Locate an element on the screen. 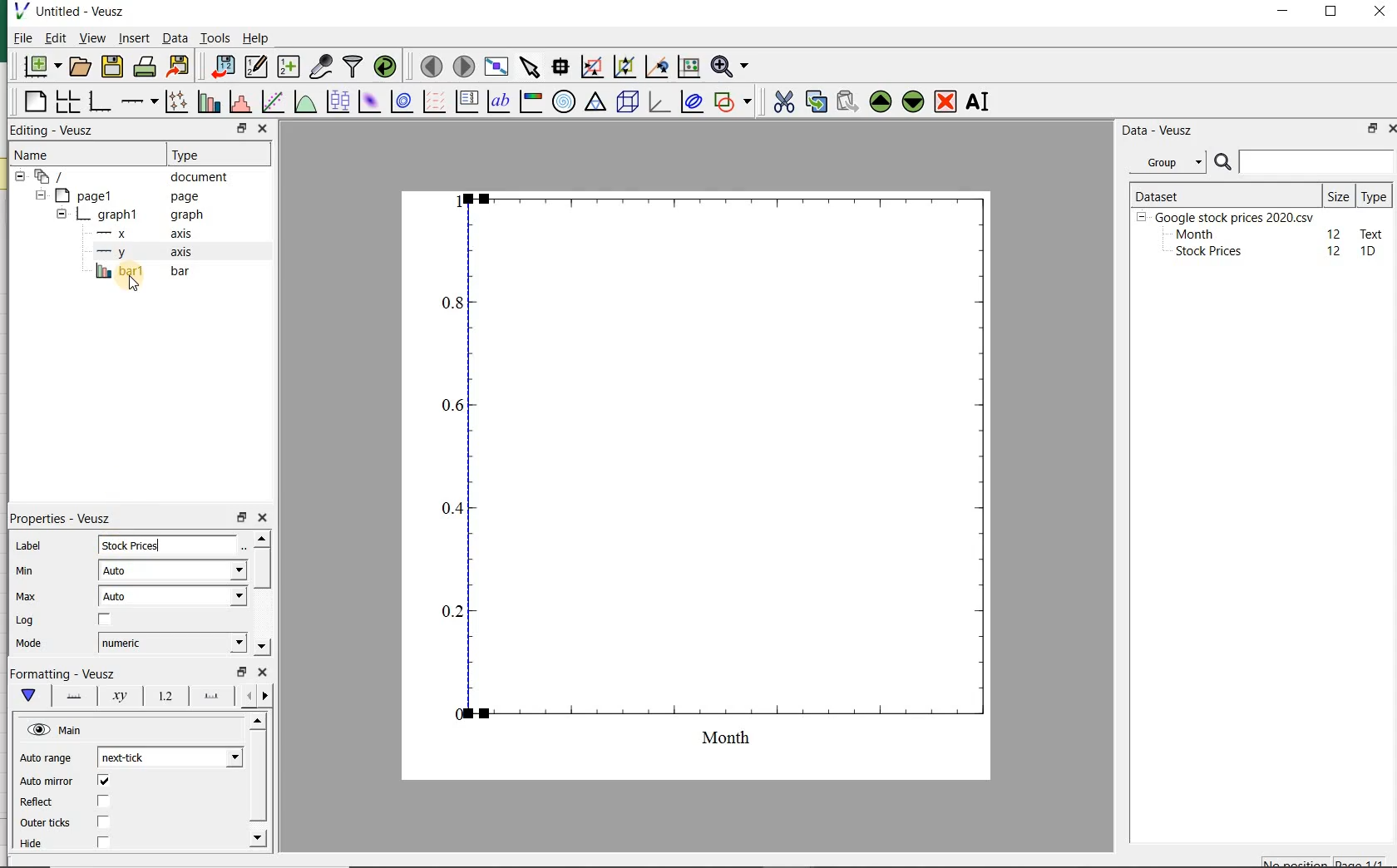 The width and height of the screenshot is (1397, 868). Tools is located at coordinates (215, 38).